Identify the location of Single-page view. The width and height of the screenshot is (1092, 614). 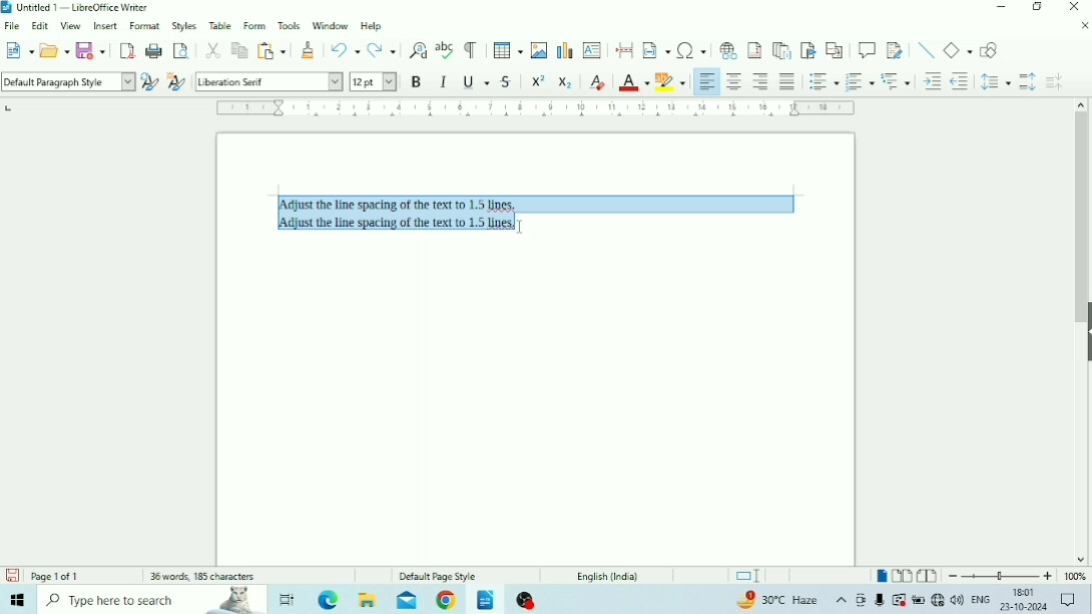
(882, 577).